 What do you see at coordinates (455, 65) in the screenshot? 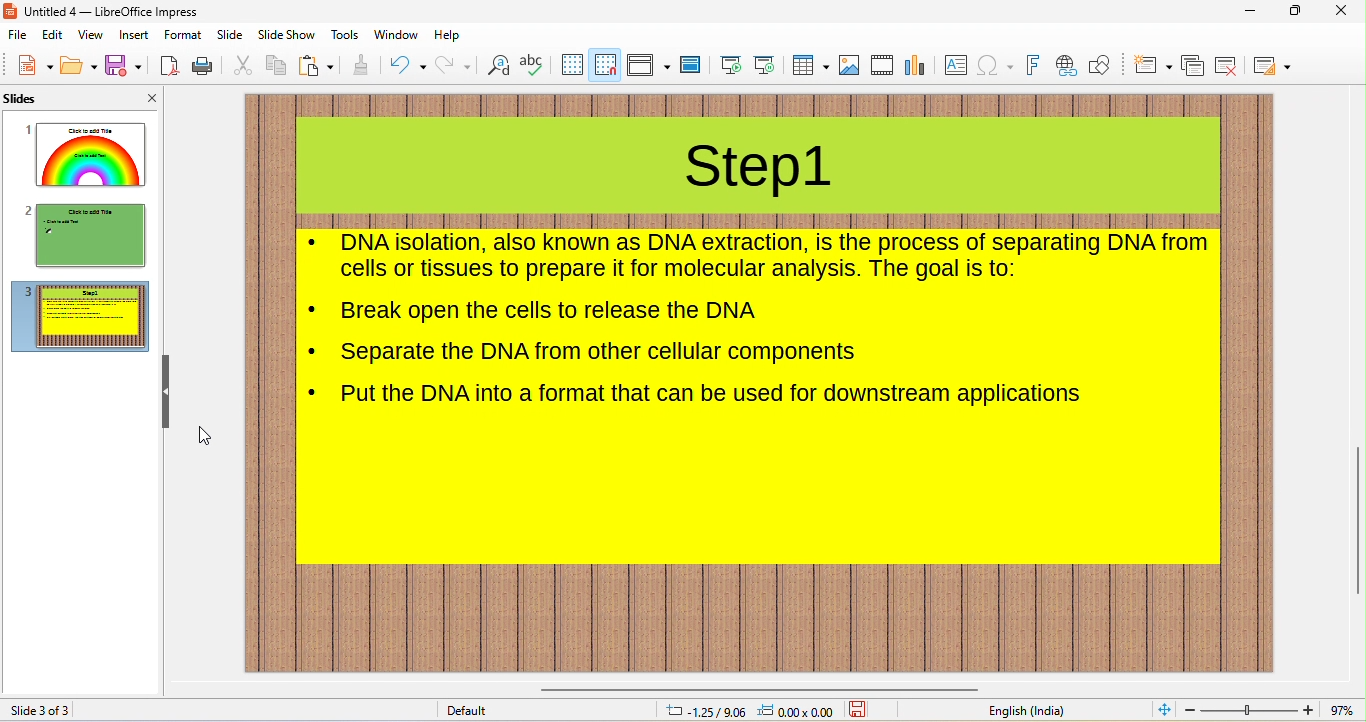
I see `redo` at bounding box center [455, 65].